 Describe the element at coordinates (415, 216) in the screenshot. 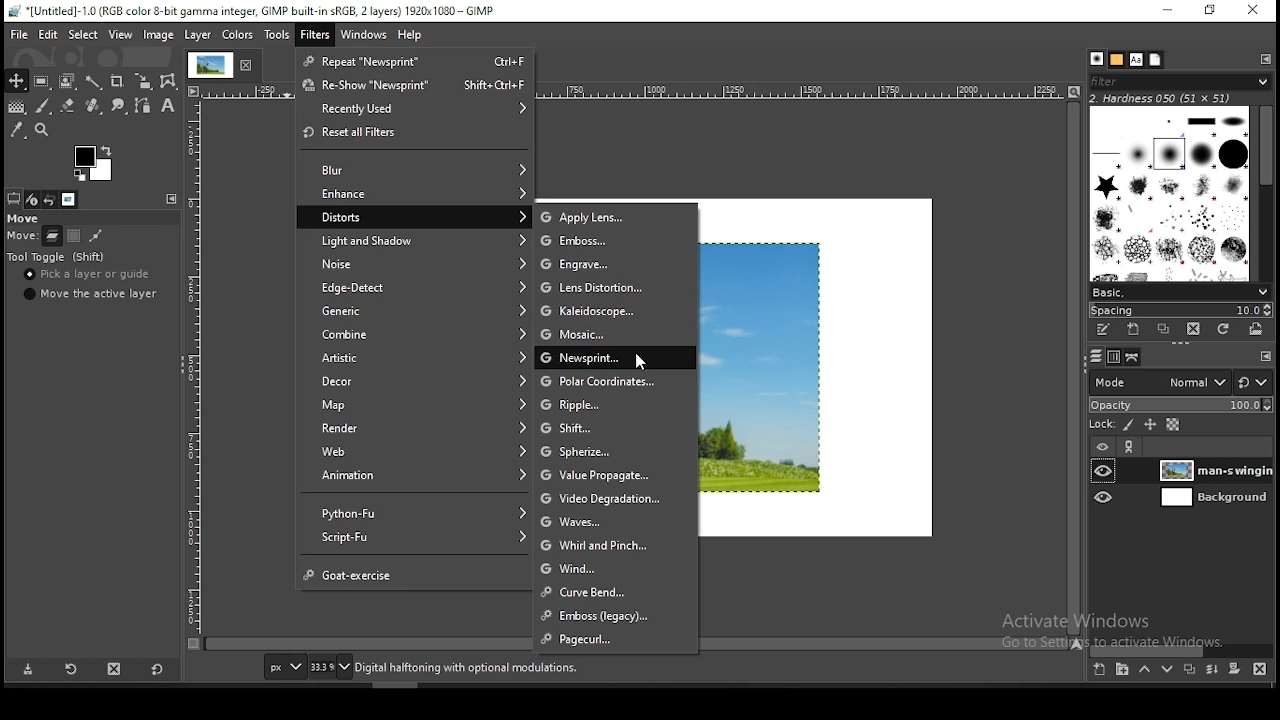

I see `distorts` at that location.